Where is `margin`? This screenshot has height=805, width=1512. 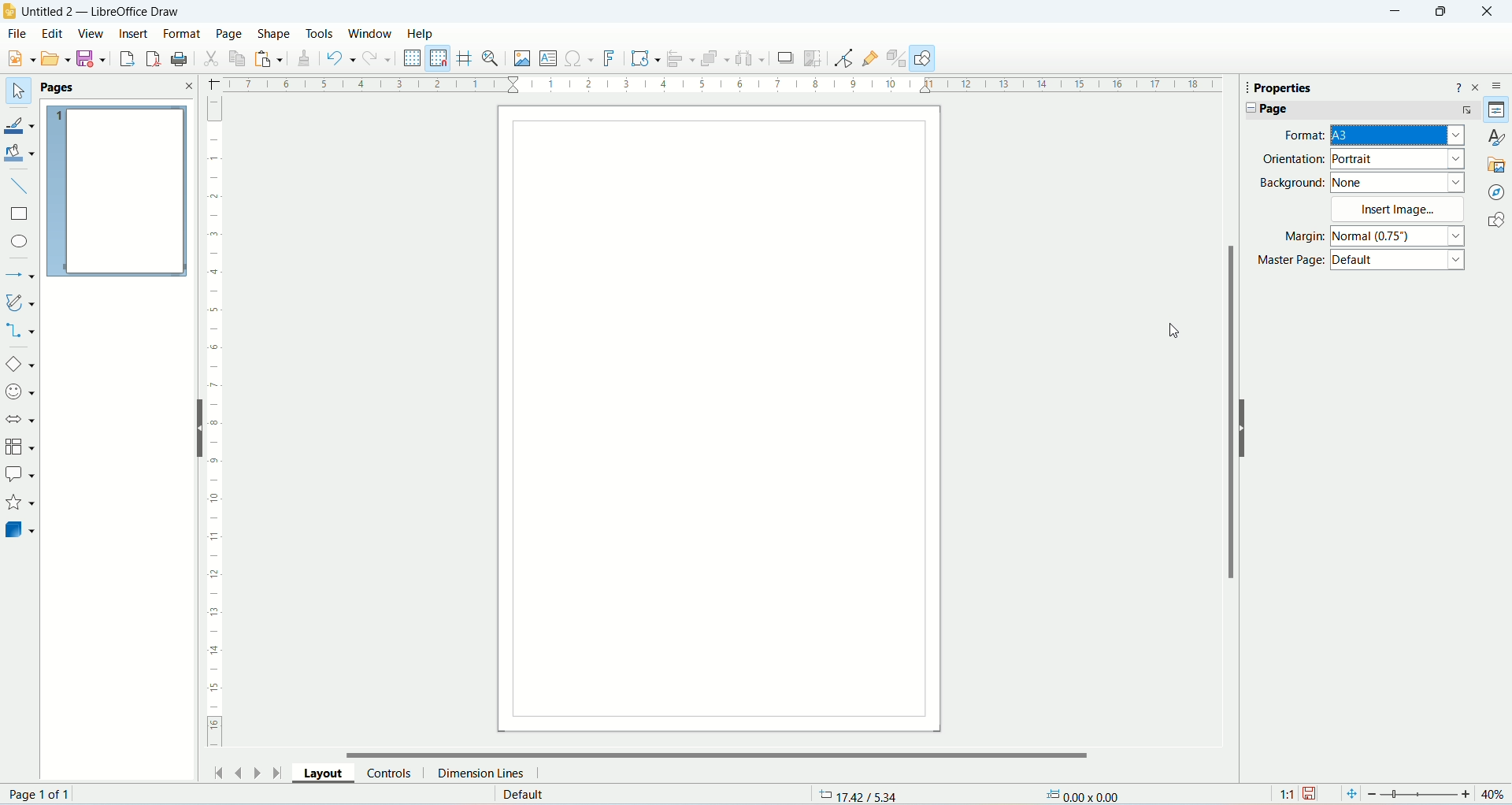
margin is located at coordinates (1371, 236).